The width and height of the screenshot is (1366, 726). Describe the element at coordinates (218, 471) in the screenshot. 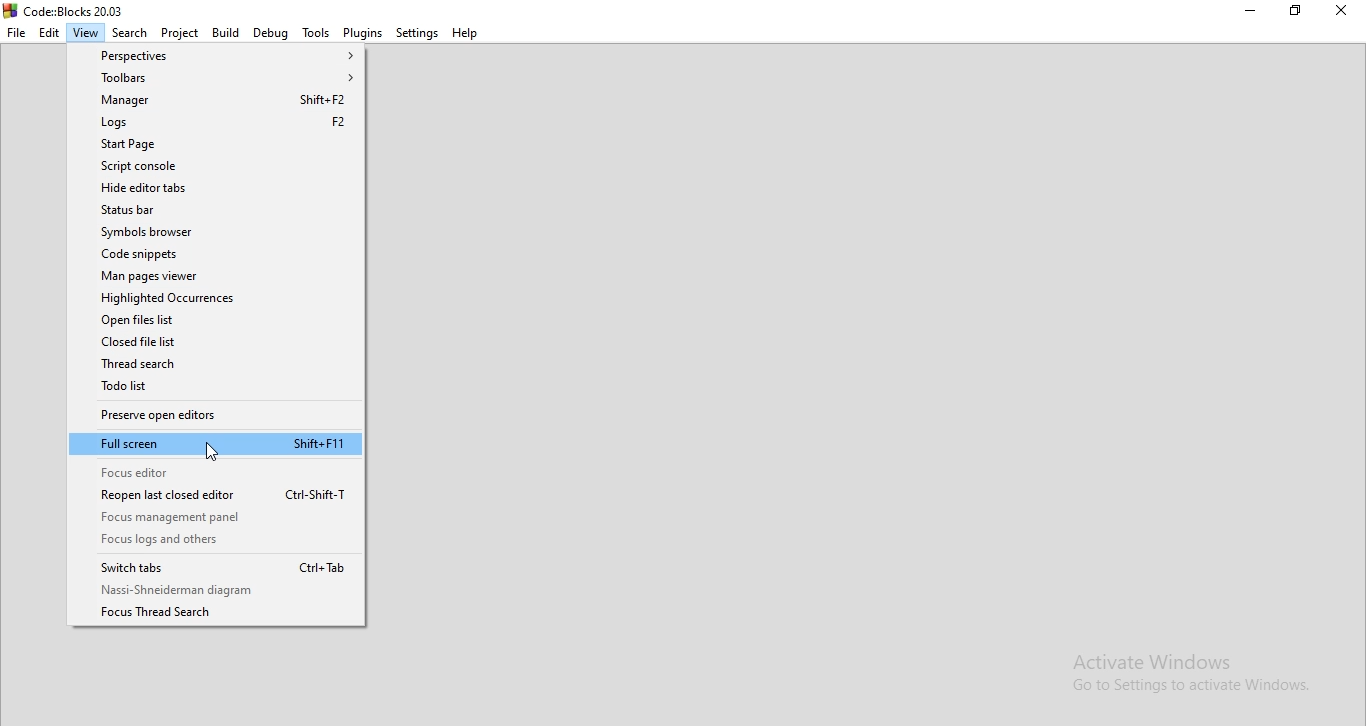

I see `Focus editor` at that location.